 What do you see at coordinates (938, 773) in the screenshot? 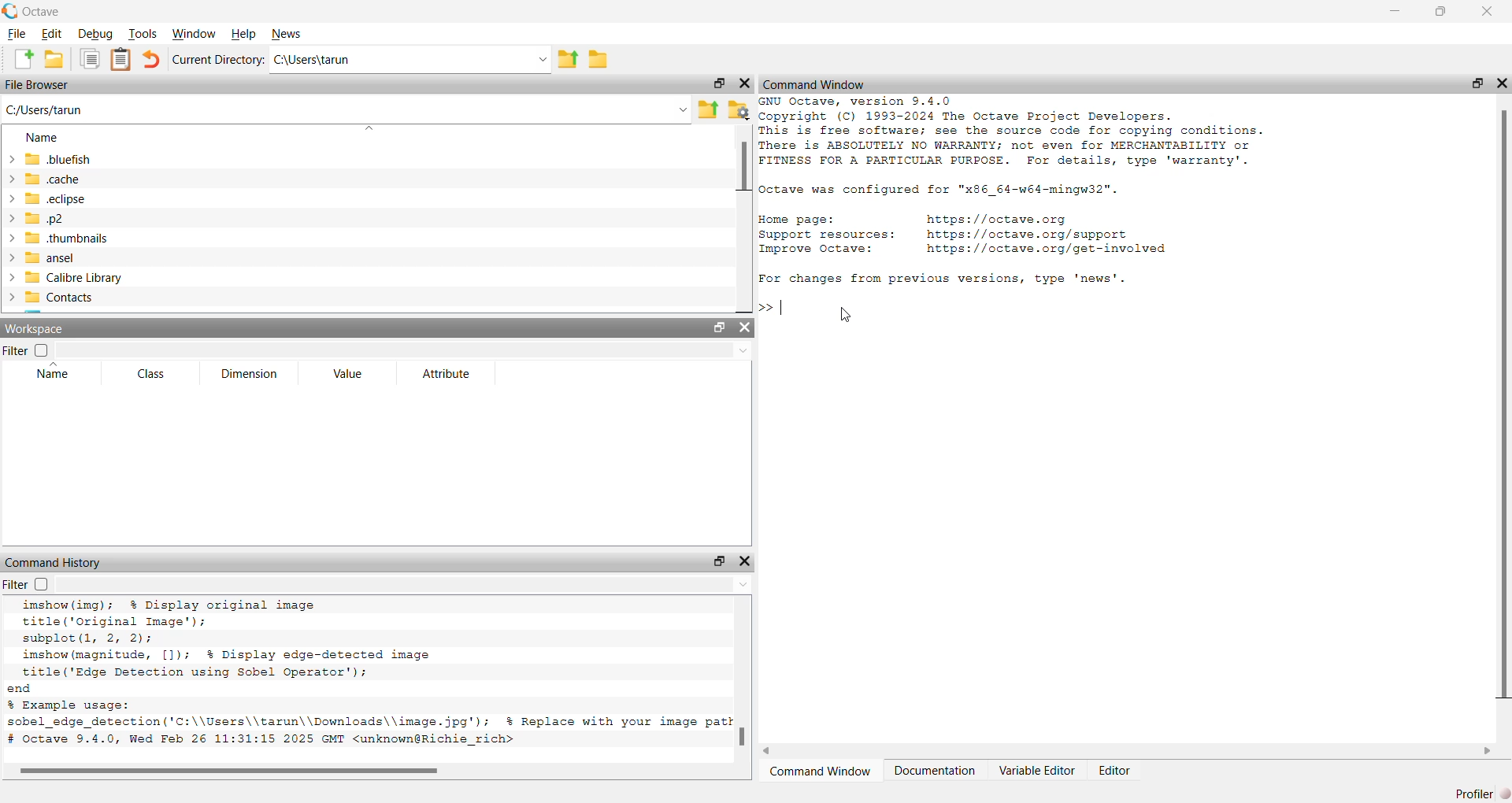
I see `Documentation` at bounding box center [938, 773].